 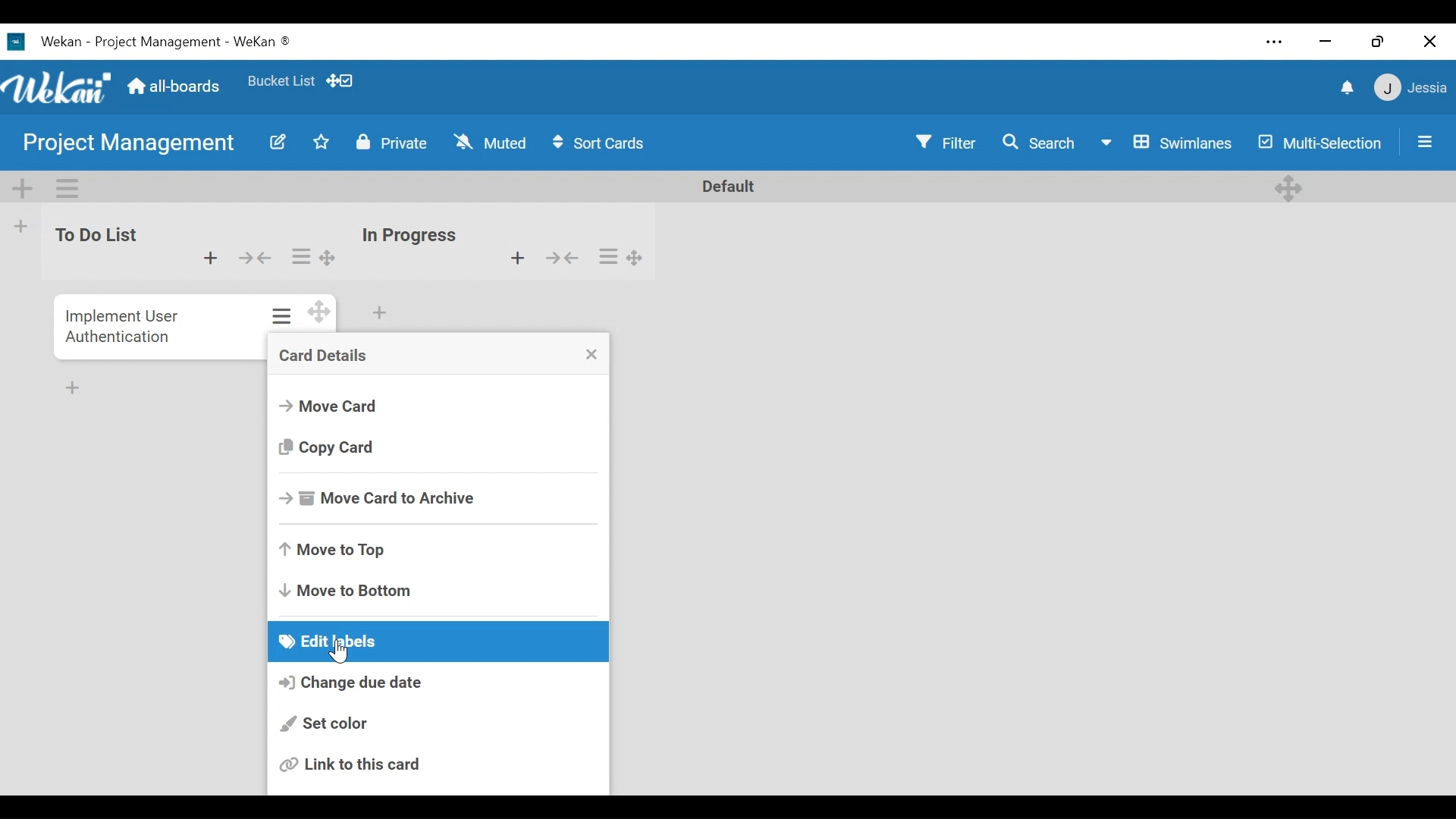 I want to click on Move Card, so click(x=331, y=406).